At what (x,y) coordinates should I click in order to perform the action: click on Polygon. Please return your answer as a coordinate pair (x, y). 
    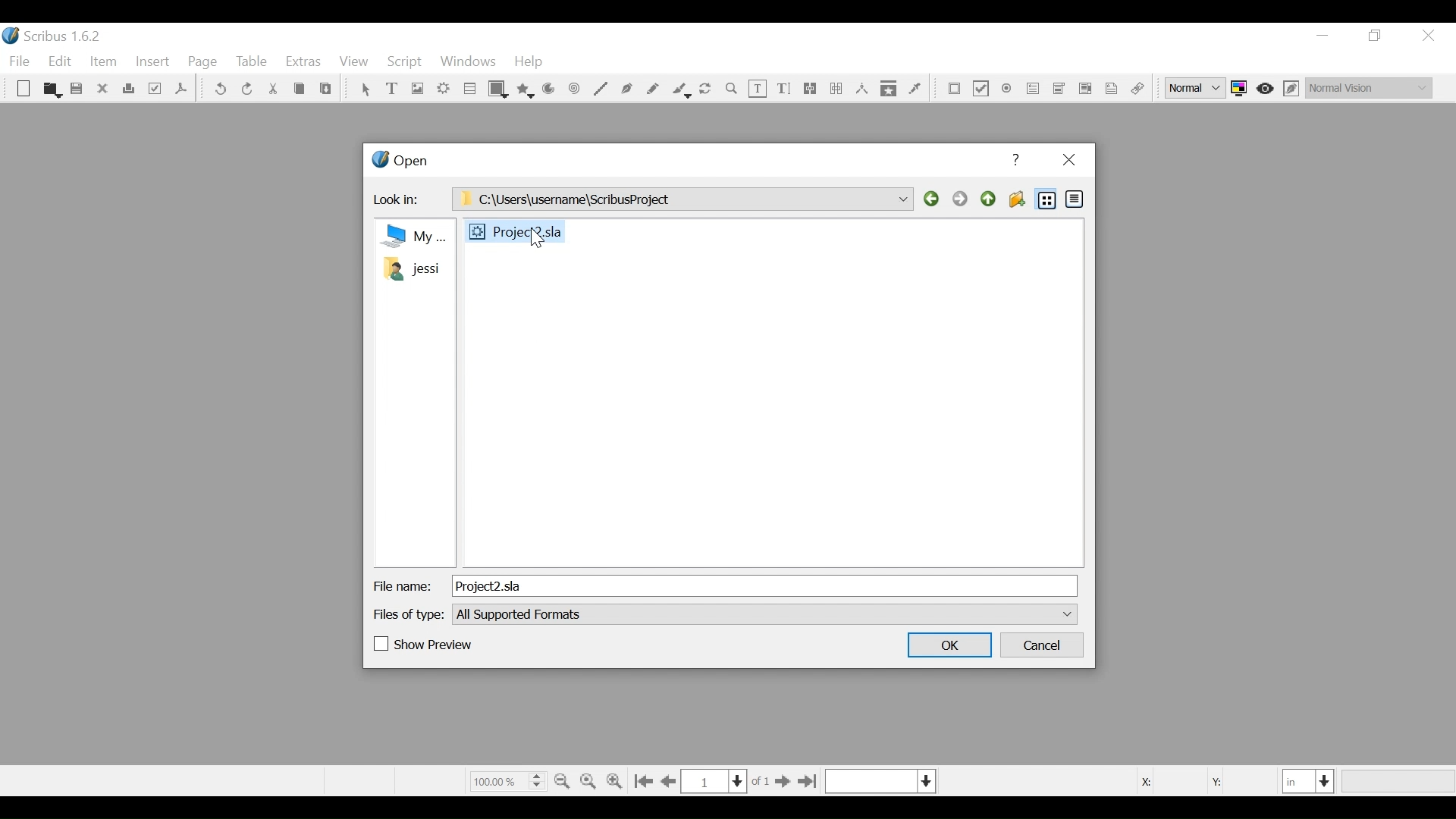
    Looking at the image, I should click on (526, 89).